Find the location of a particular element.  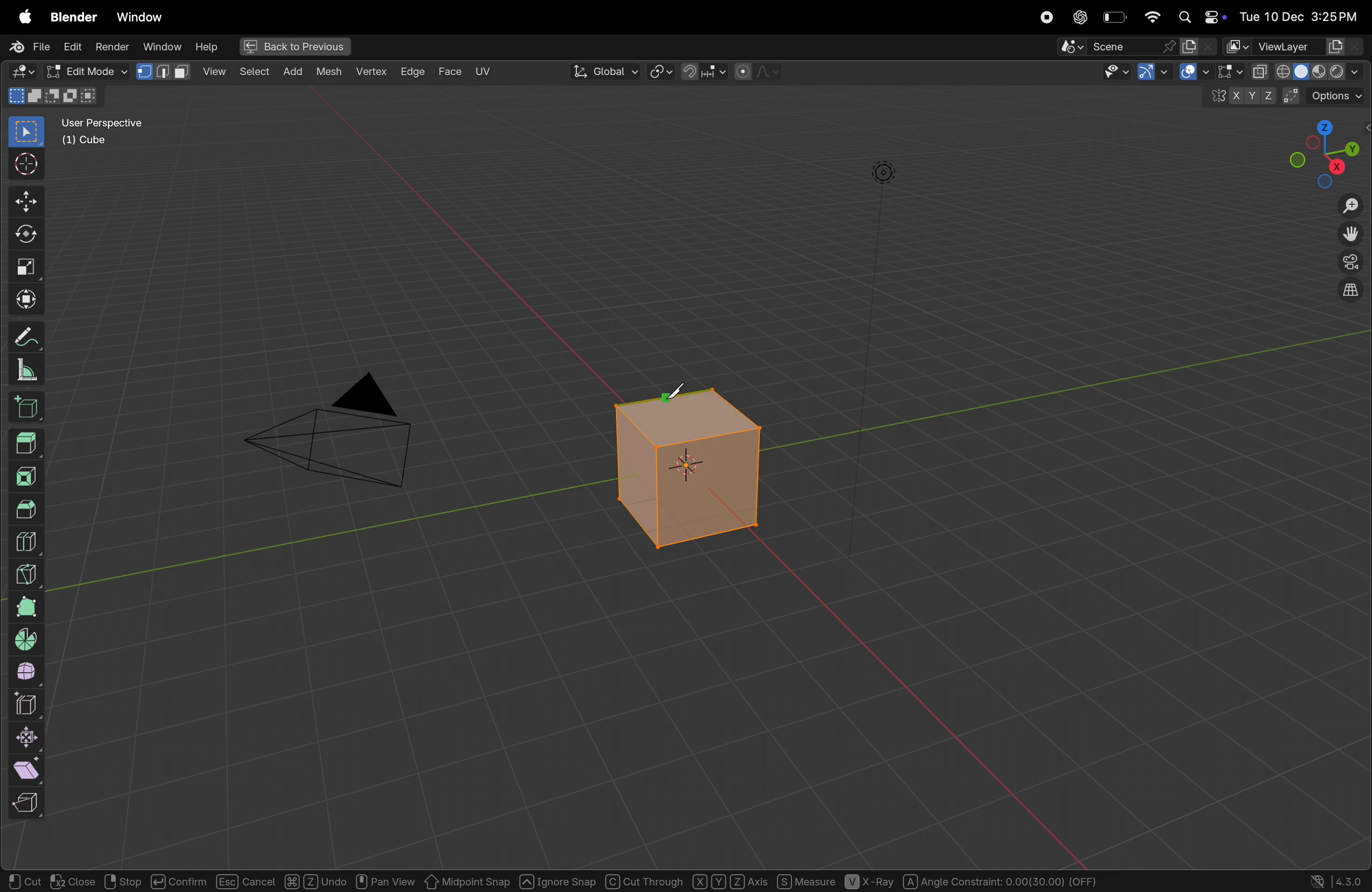

edge slide is located at coordinates (29, 705).